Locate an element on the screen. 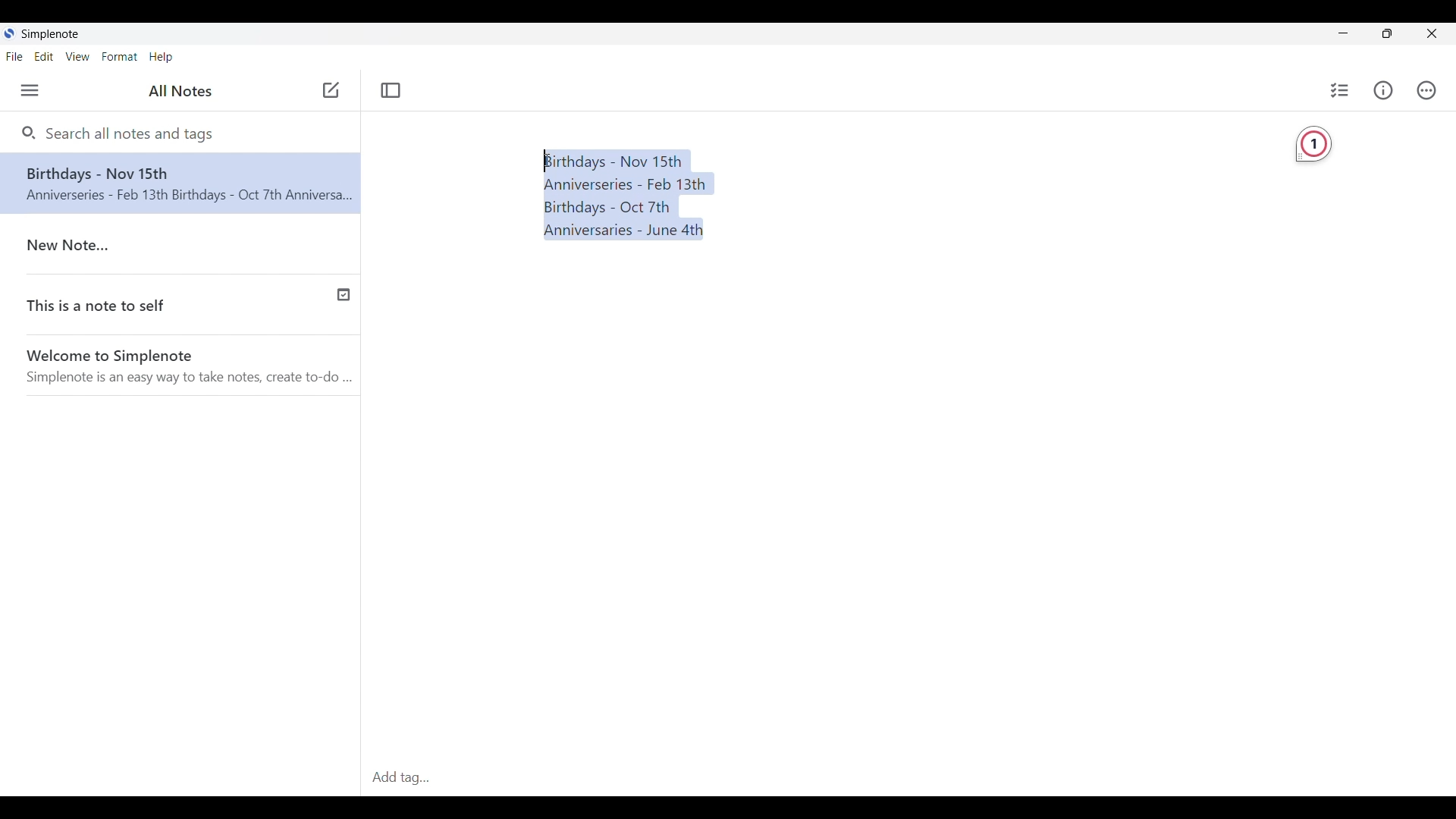 The image size is (1456, 819). Grammarly extension detecting 1 required change  is located at coordinates (1313, 145).